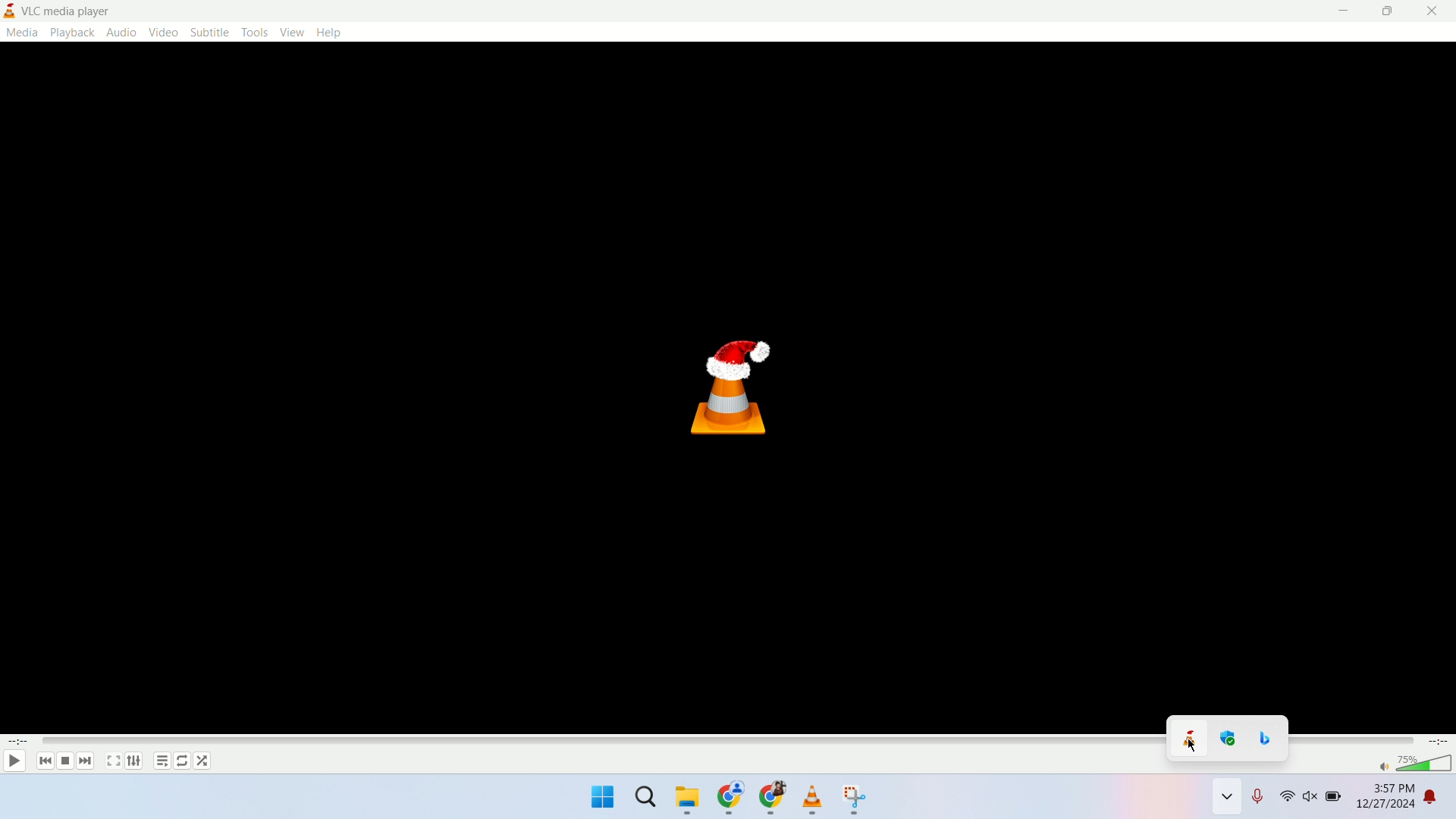 The width and height of the screenshot is (1456, 819). What do you see at coordinates (1312, 800) in the screenshot?
I see `volume` at bounding box center [1312, 800].